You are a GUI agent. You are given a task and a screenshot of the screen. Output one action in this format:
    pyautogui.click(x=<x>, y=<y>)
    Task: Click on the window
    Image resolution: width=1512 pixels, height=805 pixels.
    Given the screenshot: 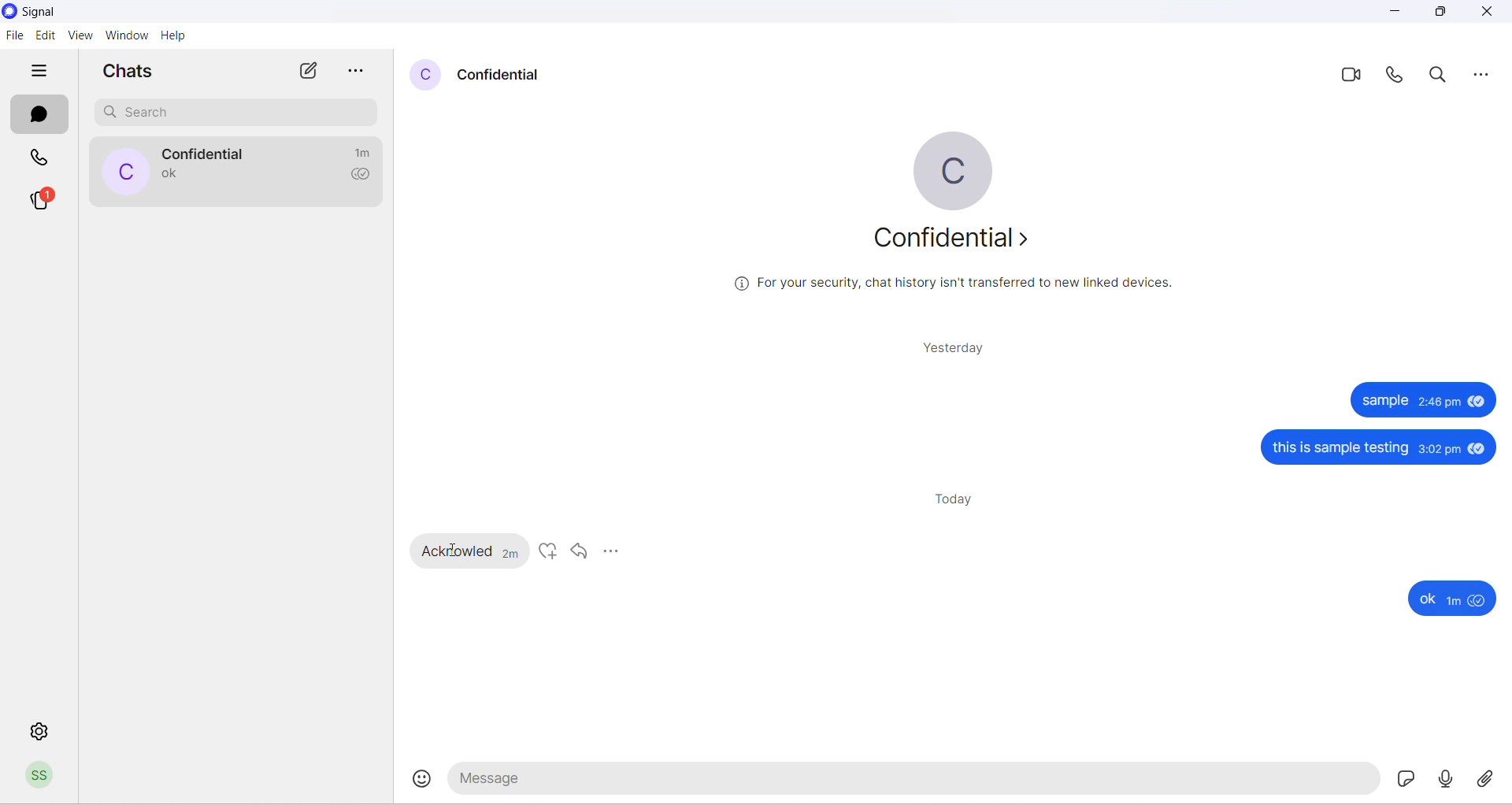 What is the action you would take?
    pyautogui.click(x=128, y=35)
    